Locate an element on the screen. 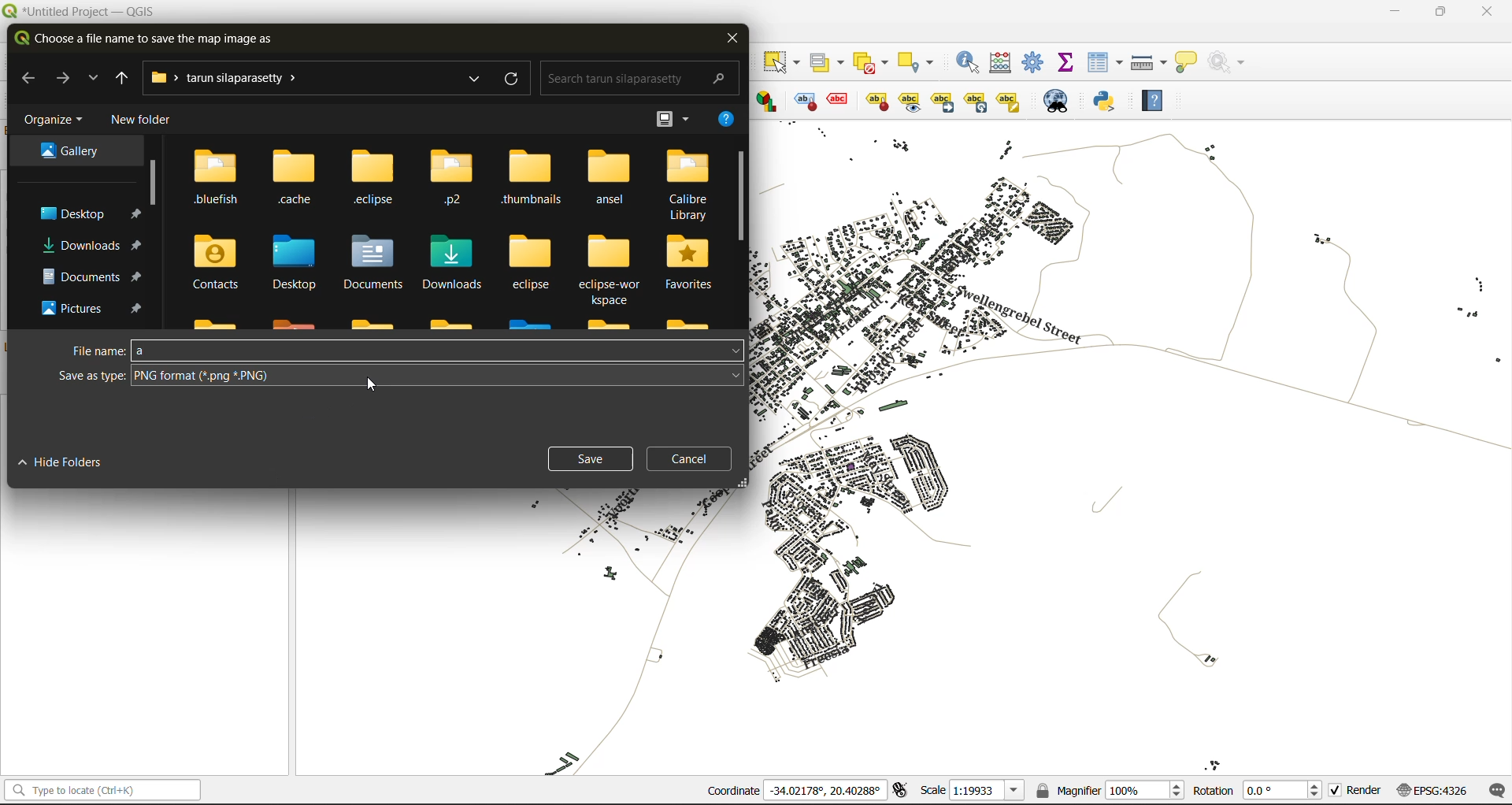 The width and height of the screenshot is (1512, 805). metasearch is located at coordinates (1058, 101).